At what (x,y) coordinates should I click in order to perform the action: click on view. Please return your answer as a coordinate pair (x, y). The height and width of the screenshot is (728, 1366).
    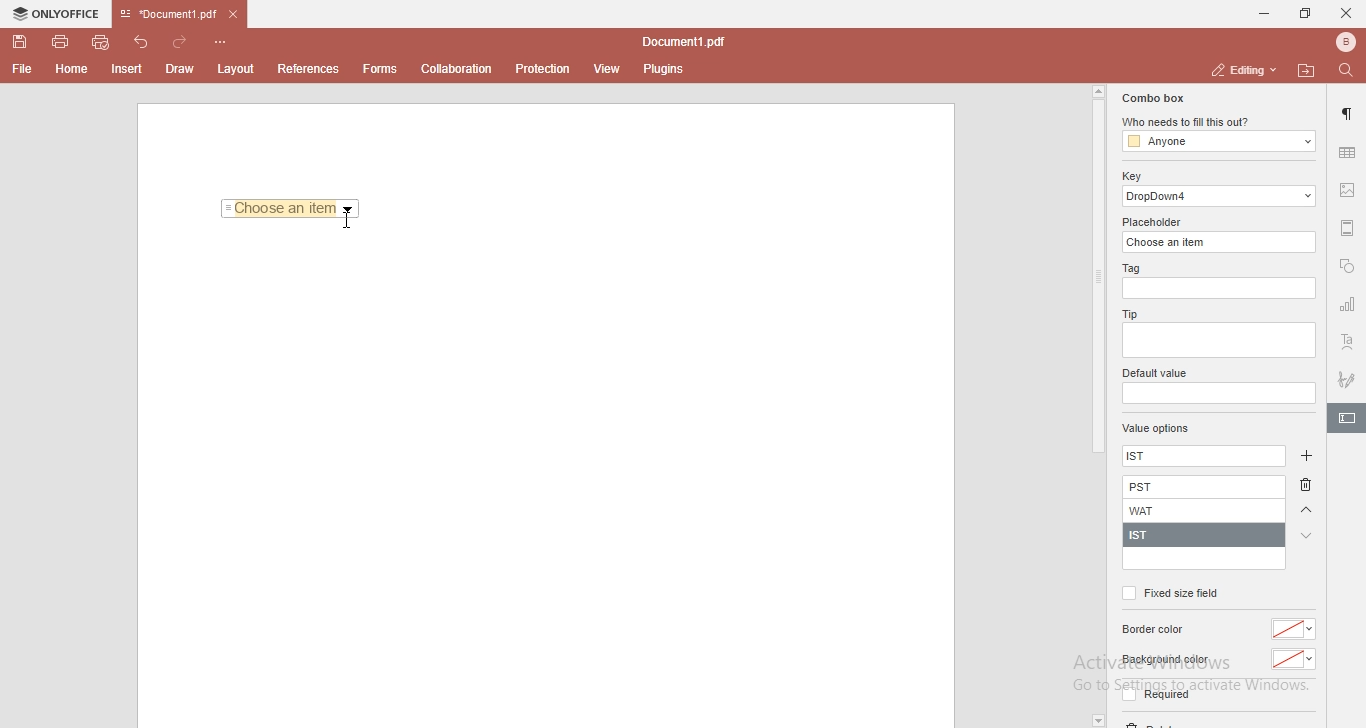
    Looking at the image, I should click on (608, 69).